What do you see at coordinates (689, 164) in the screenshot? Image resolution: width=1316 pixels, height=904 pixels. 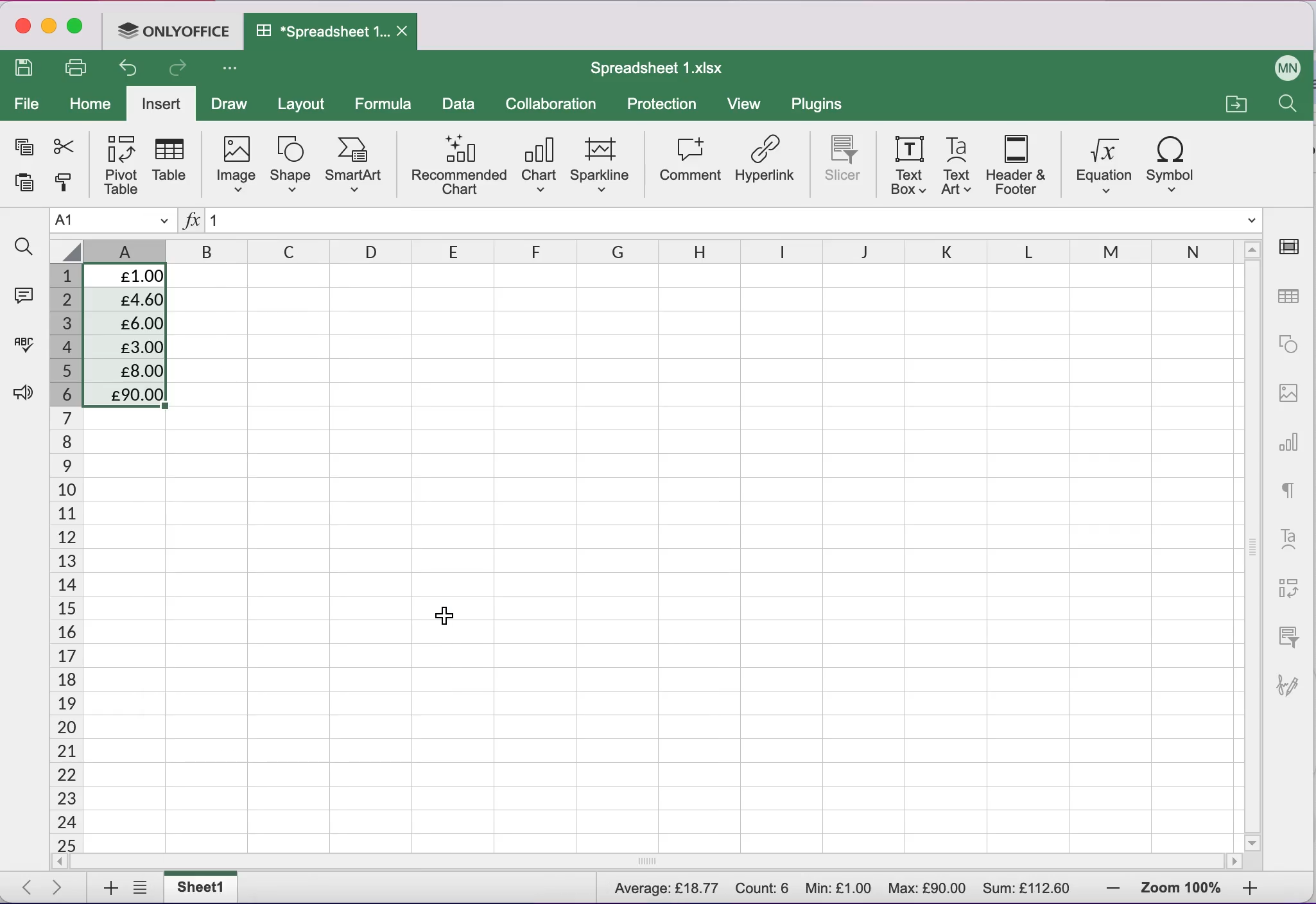 I see `comment` at bounding box center [689, 164].